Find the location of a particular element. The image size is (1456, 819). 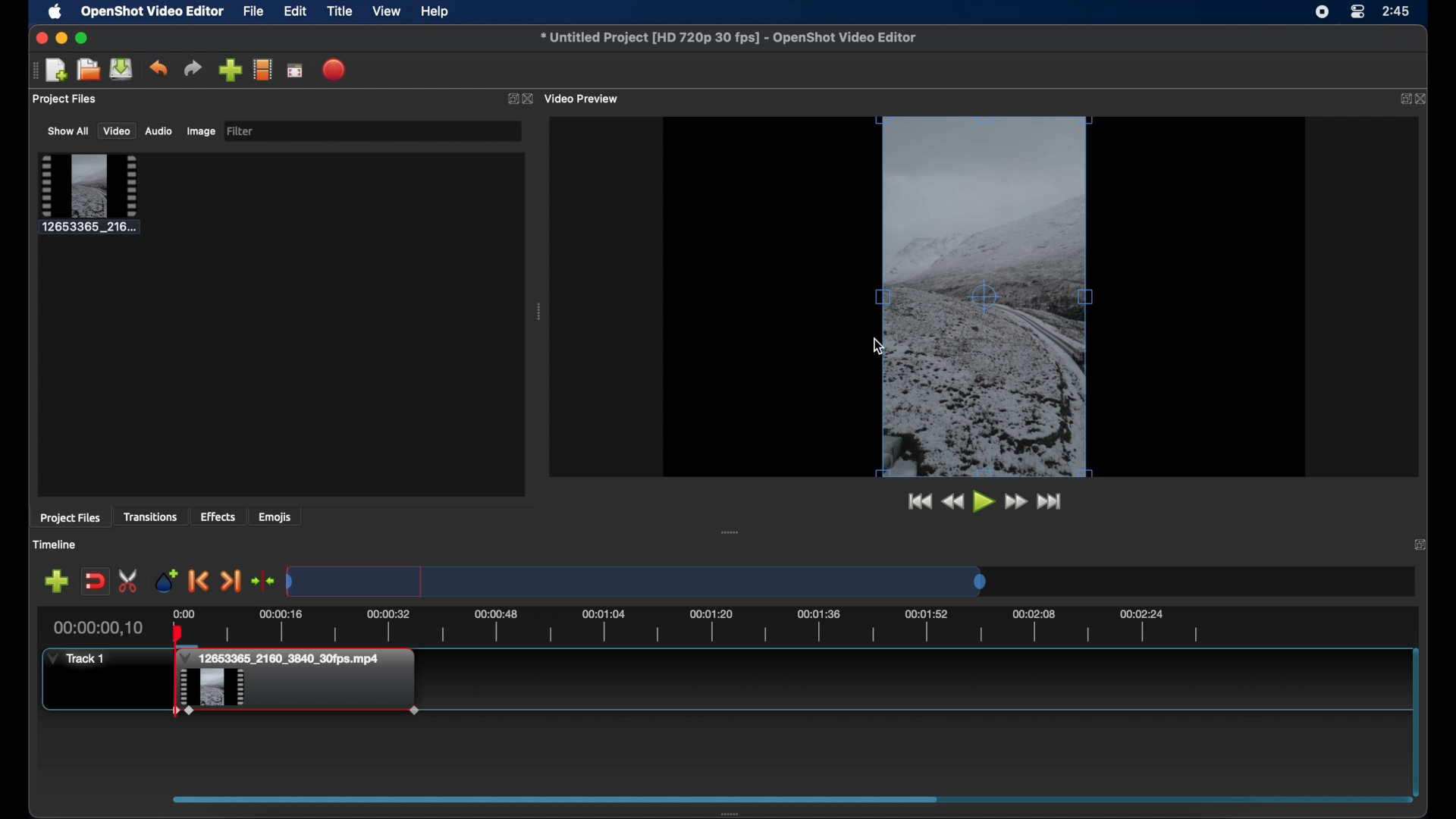

project files is located at coordinates (66, 100).